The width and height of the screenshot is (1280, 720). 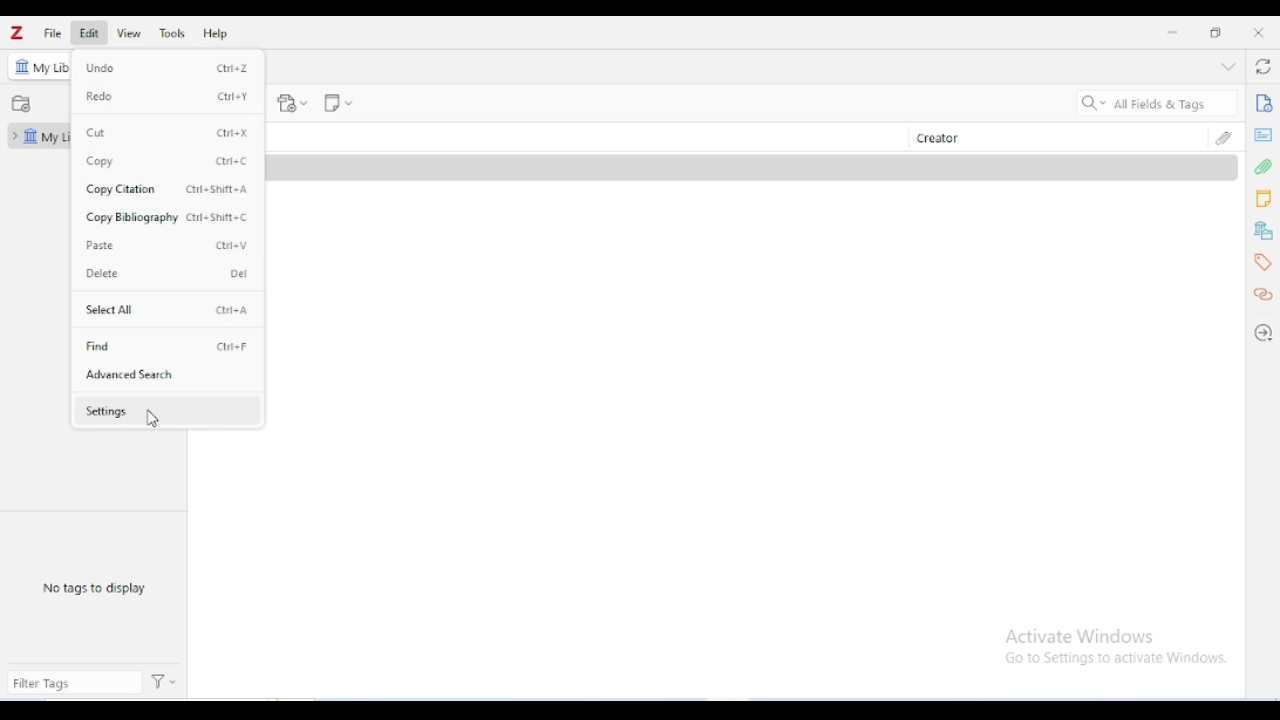 What do you see at coordinates (1085, 635) in the screenshot?
I see `Activate Windows` at bounding box center [1085, 635].